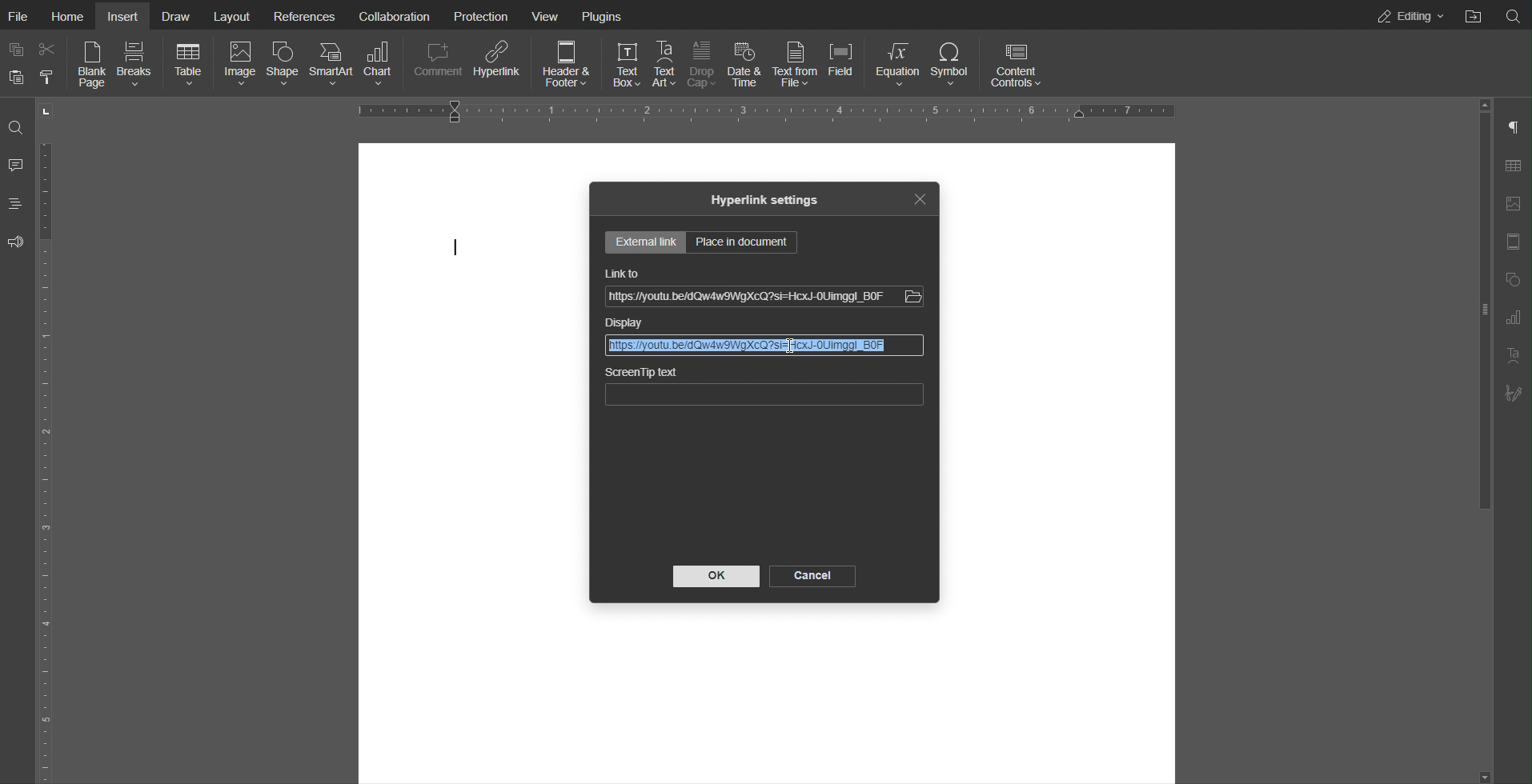 This screenshot has height=784, width=1532. Describe the element at coordinates (1514, 393) in the screenshot. I see `Signature` at that location.